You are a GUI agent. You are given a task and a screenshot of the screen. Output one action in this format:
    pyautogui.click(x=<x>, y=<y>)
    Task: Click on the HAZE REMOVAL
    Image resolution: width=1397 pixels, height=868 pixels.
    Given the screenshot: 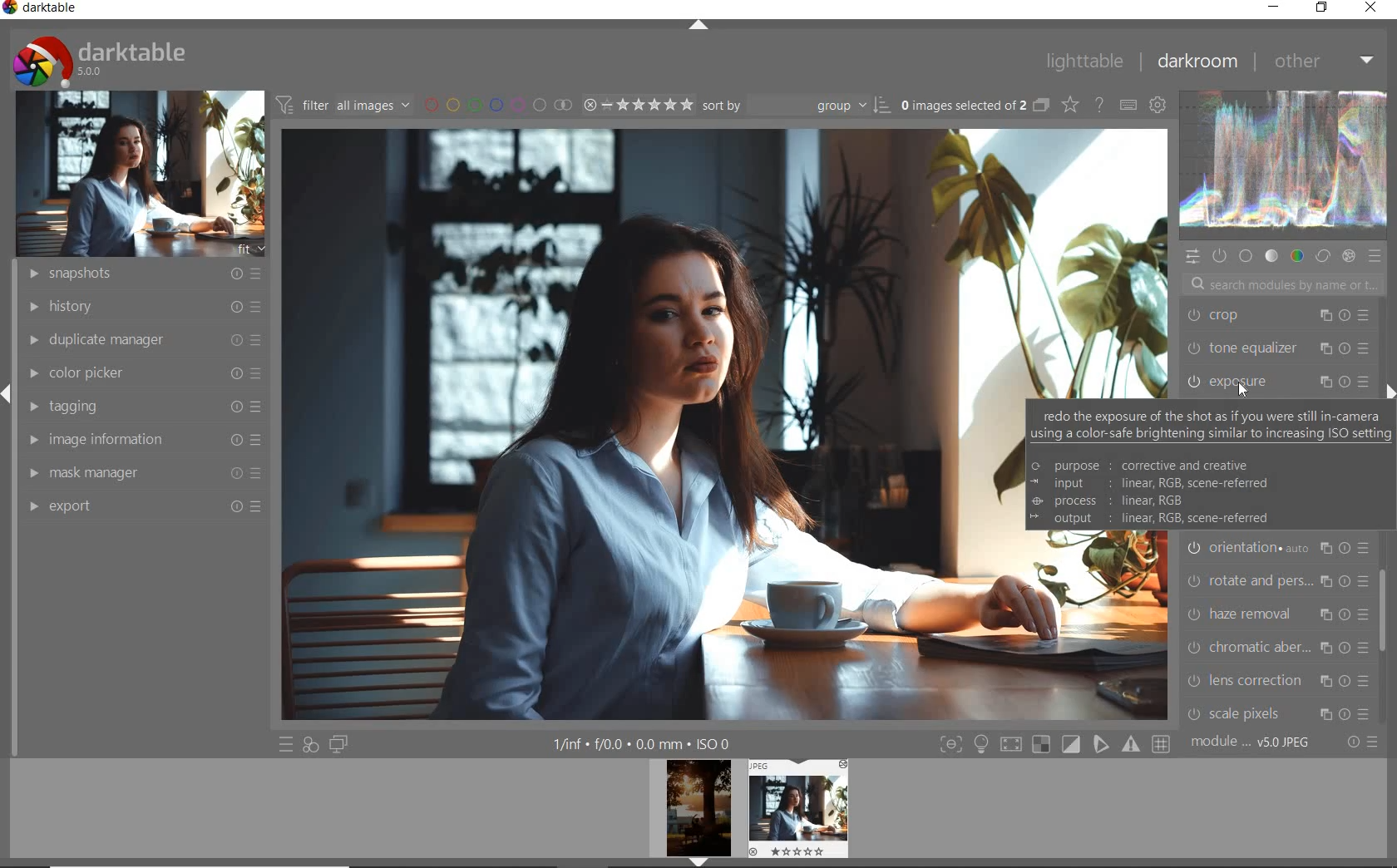 What is the action you would take?
    pyautogui.click(x=1278, y=614)
    